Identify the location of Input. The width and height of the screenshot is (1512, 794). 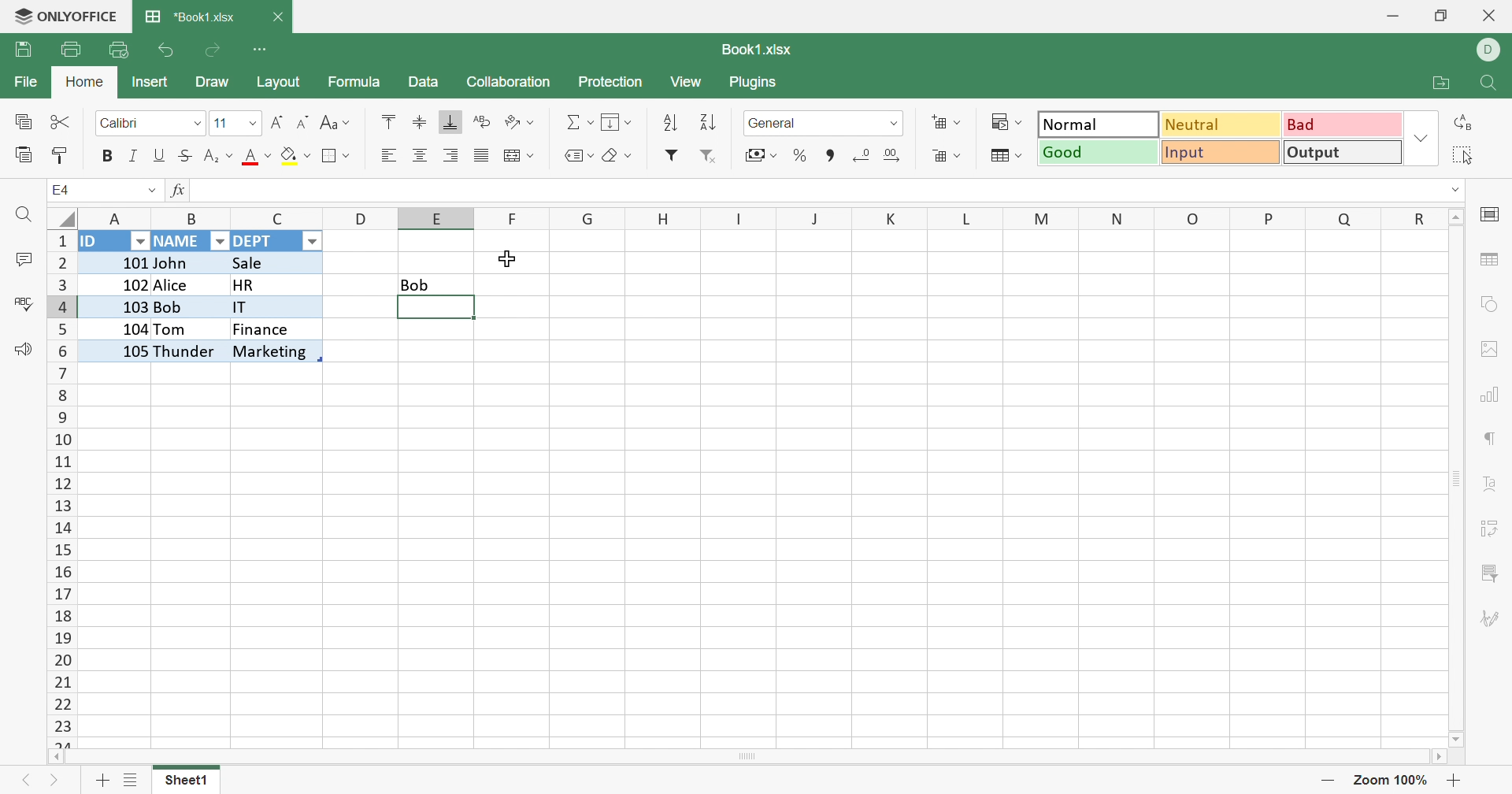
(1218, 152).